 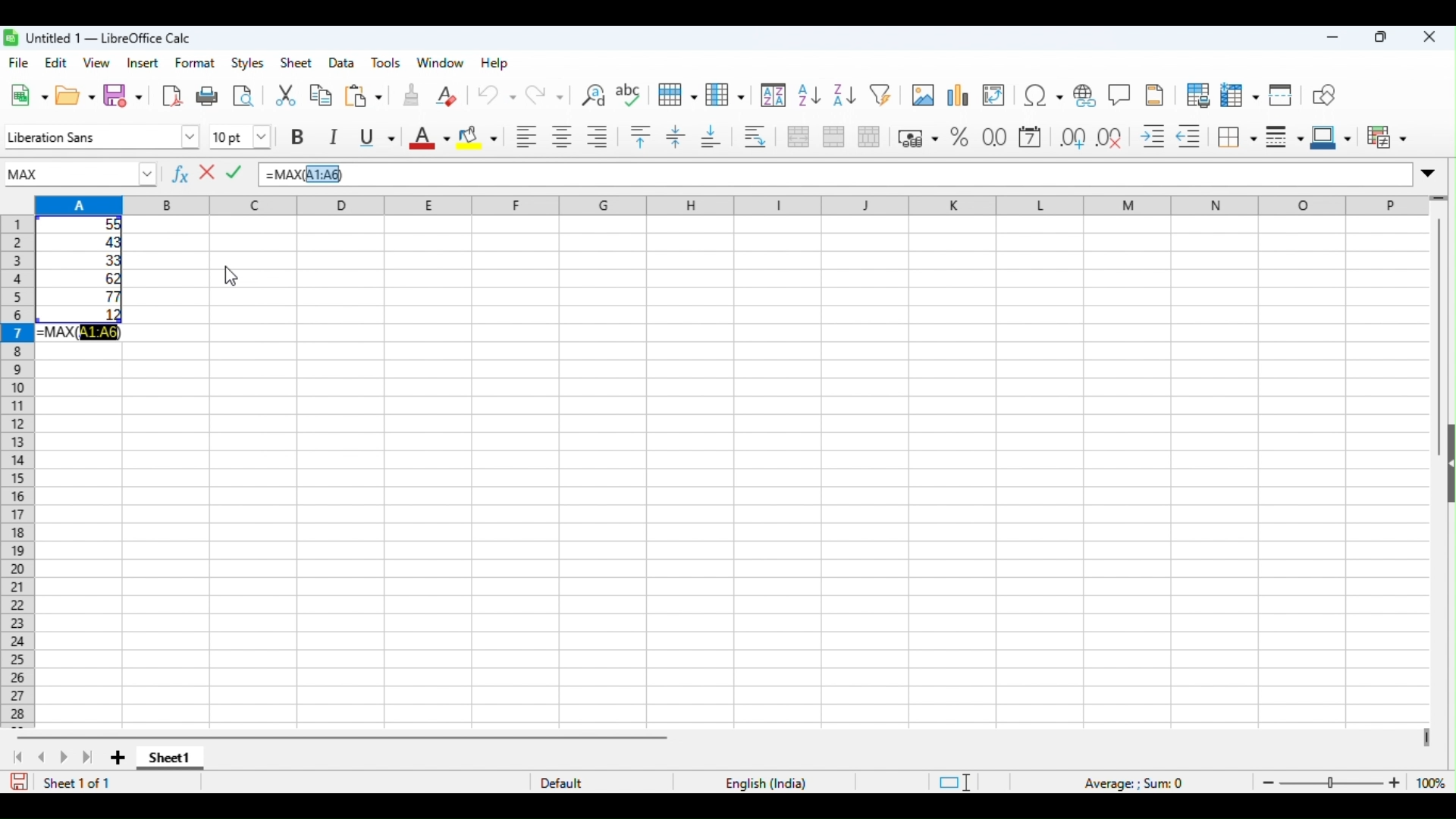 I want to click on rows, so click(x=678, y=96).